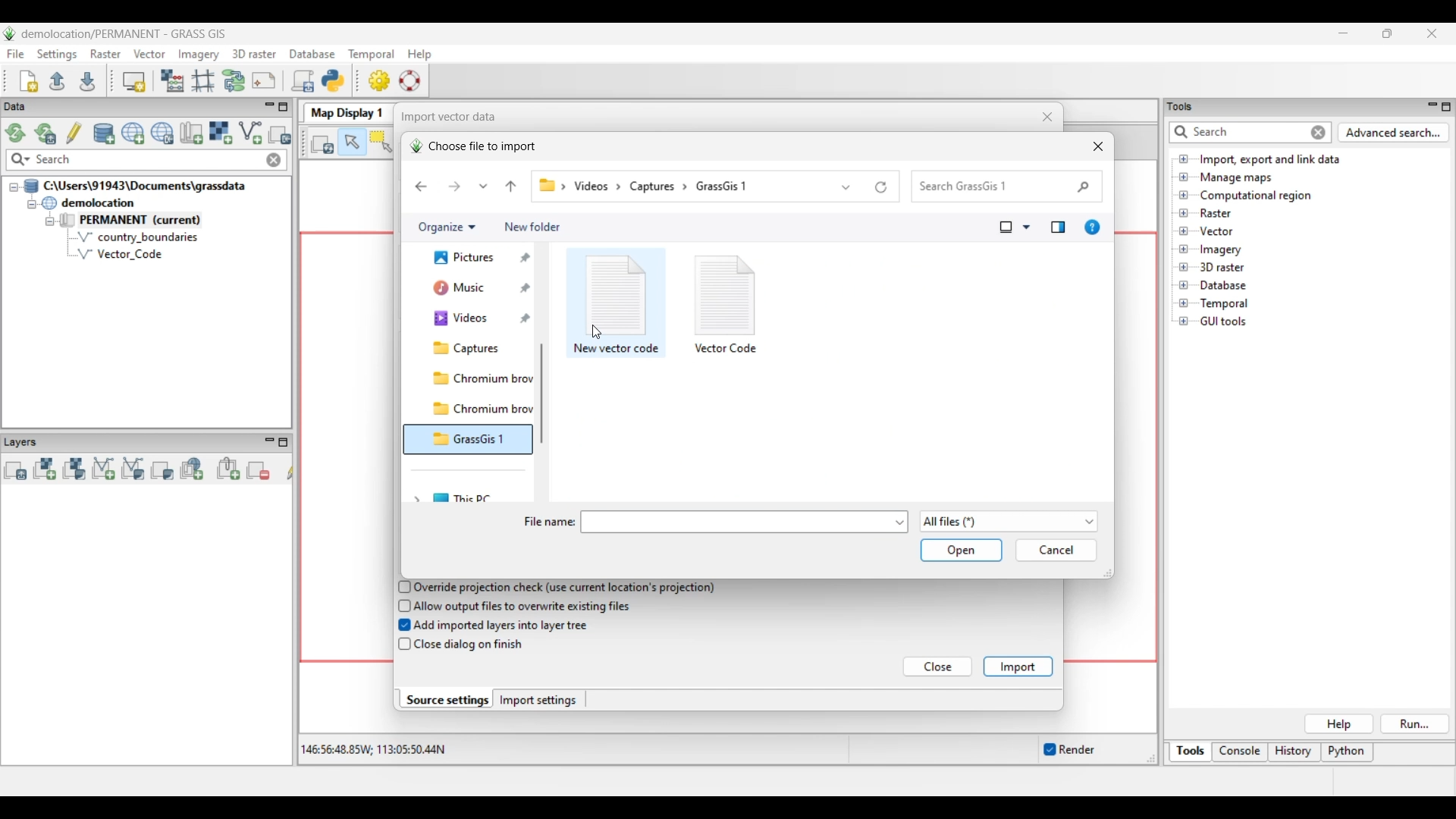 This screenshot has height=819, width=1456. What do you see at coordinates (269, 442) in the screenshot?
I see `Minimize Layers panel` at bounding box center [269, 442].